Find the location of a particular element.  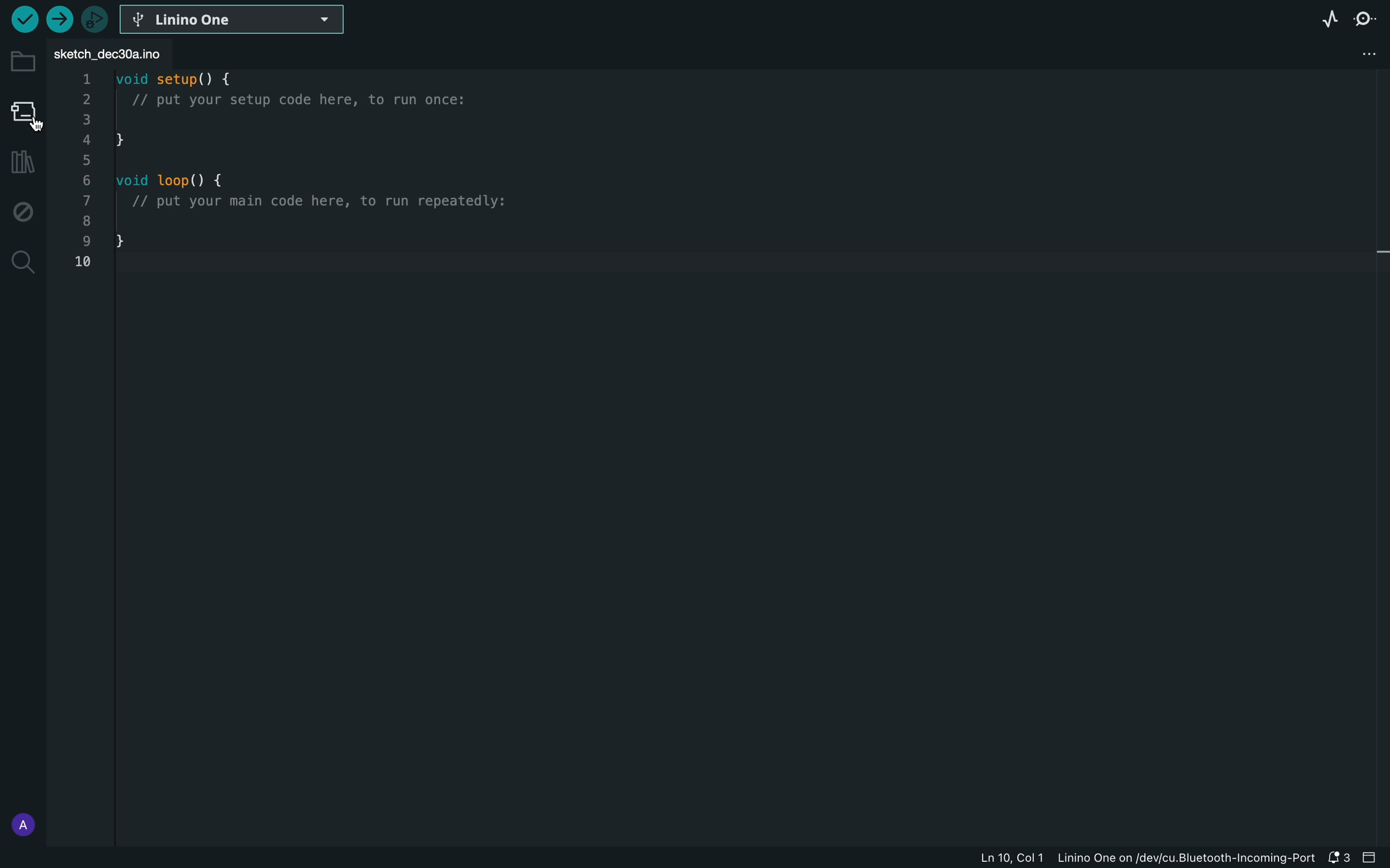

serial plotter is located at coordinates (1323, 17).